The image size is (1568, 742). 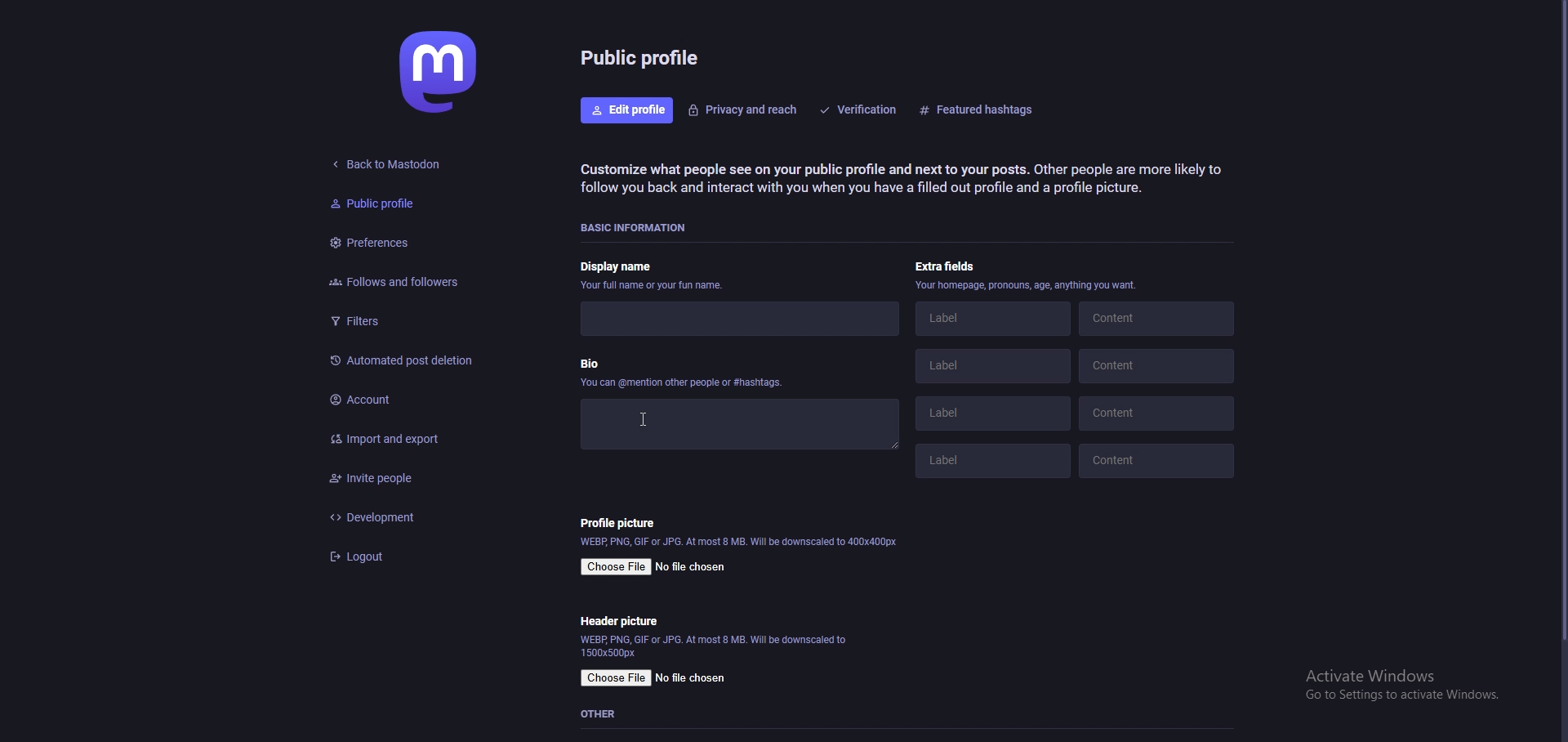 I want to click on no file chosen, so click(x=690, y=568).